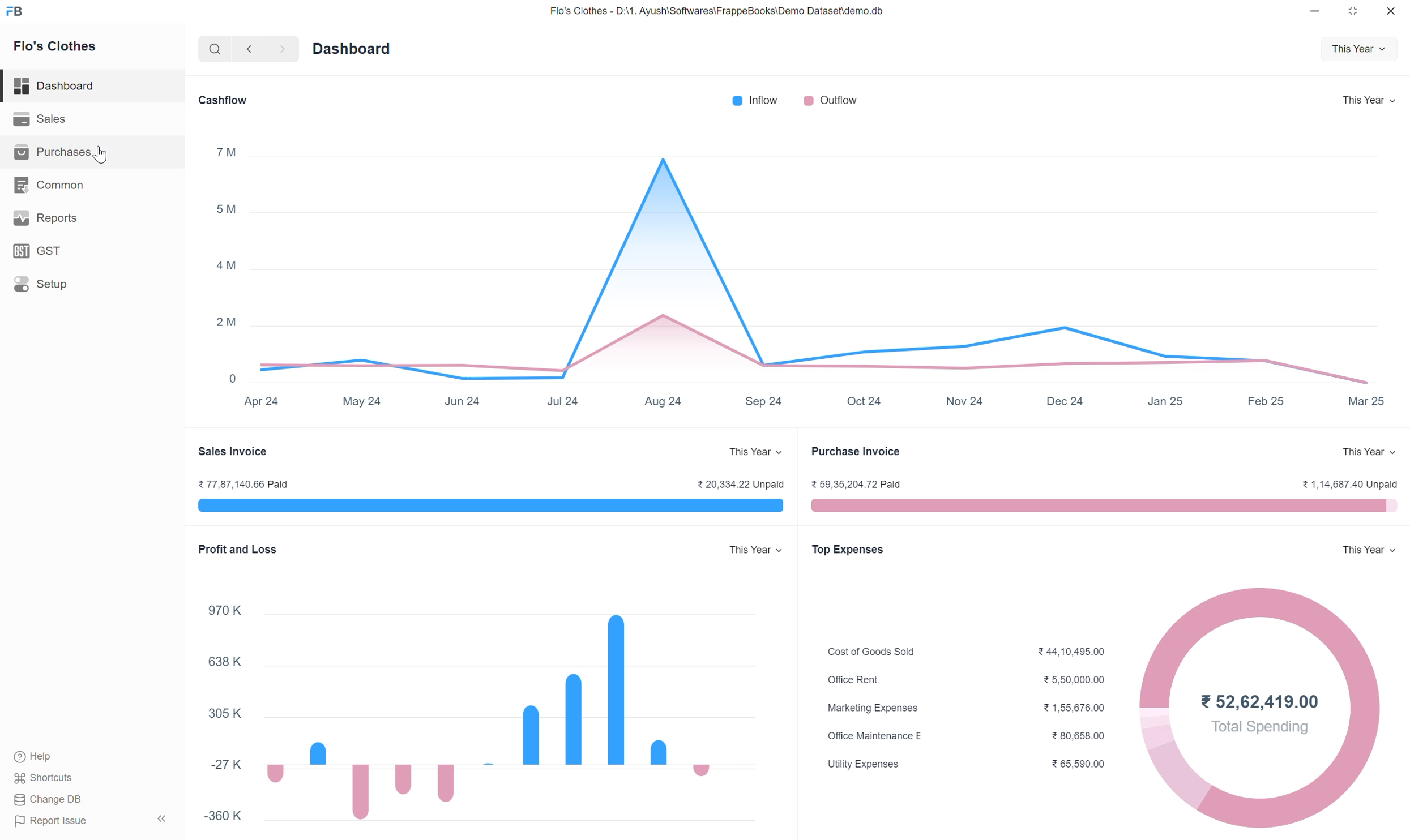 The width and height of the screenshot is (1410, 840). What do you see at coordinates (1079, 765) in the screenshot?
I see `₹  65,590.00` at bounding box center [1079, 765].